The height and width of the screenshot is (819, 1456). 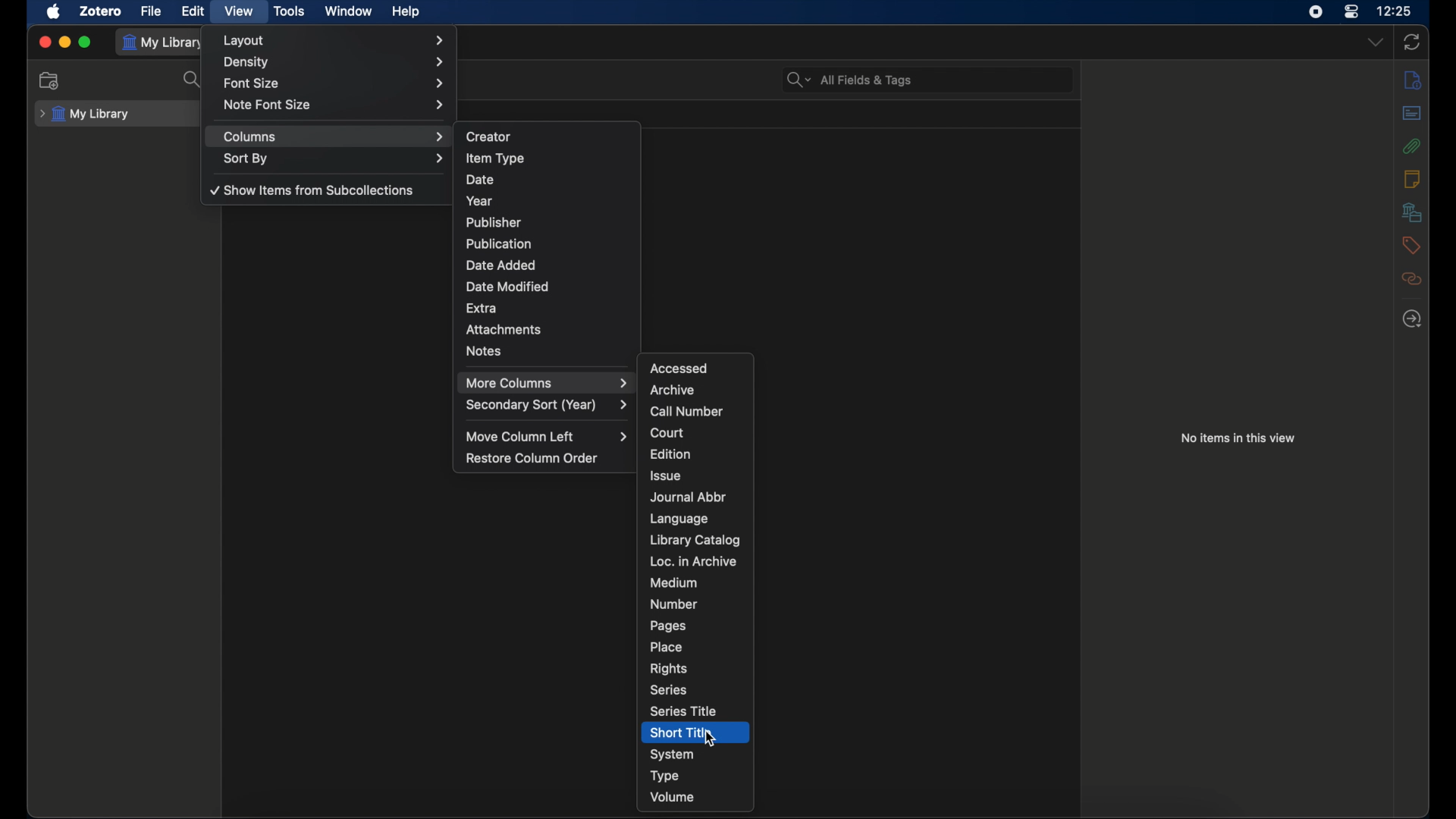 What do you see at coordinates (485, 350) in the screenshot?
I see `notes` at bounding box center [485, 350].